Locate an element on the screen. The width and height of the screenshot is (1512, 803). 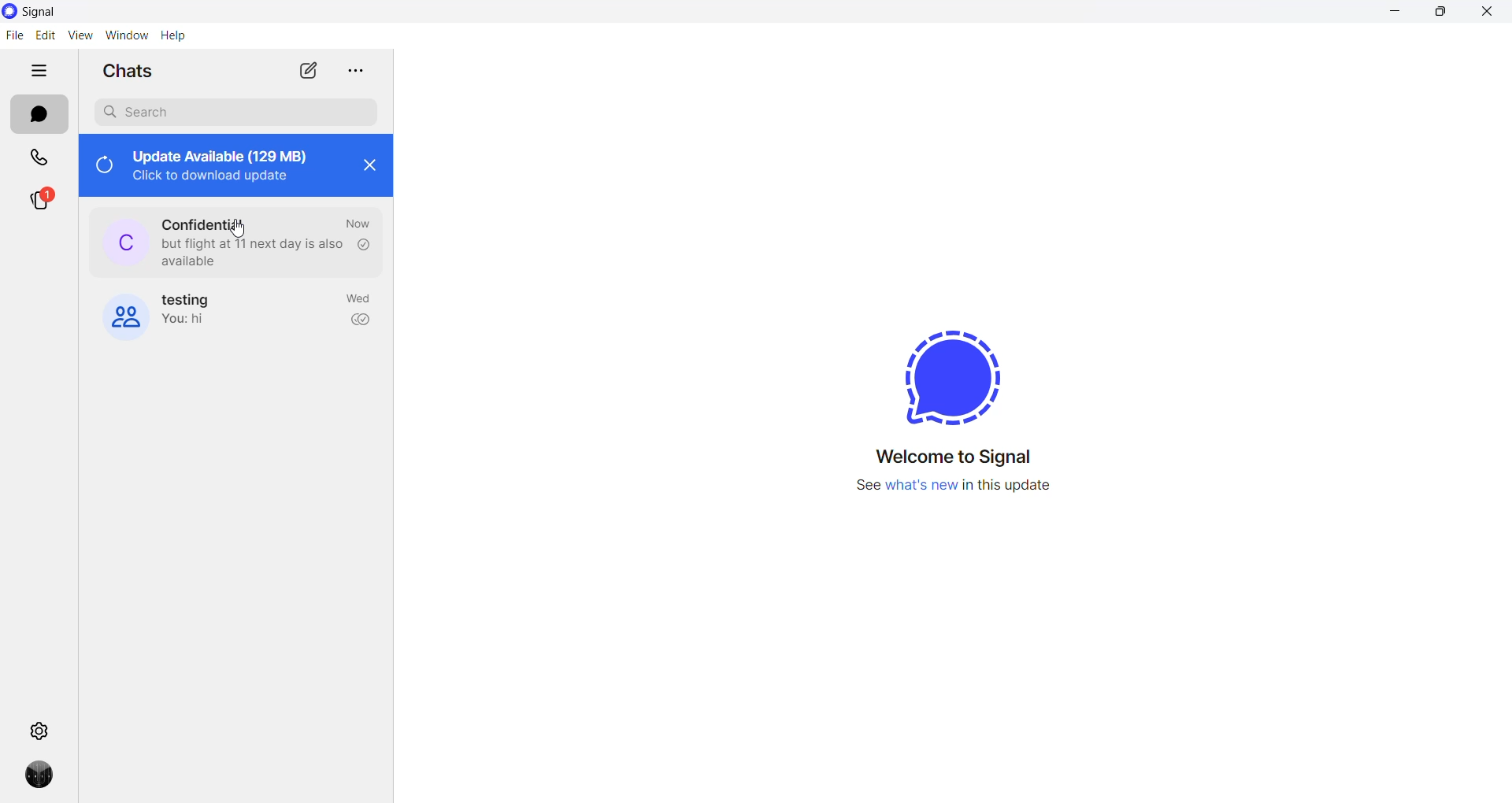
group cover photo is located at coordinates (124, 315).